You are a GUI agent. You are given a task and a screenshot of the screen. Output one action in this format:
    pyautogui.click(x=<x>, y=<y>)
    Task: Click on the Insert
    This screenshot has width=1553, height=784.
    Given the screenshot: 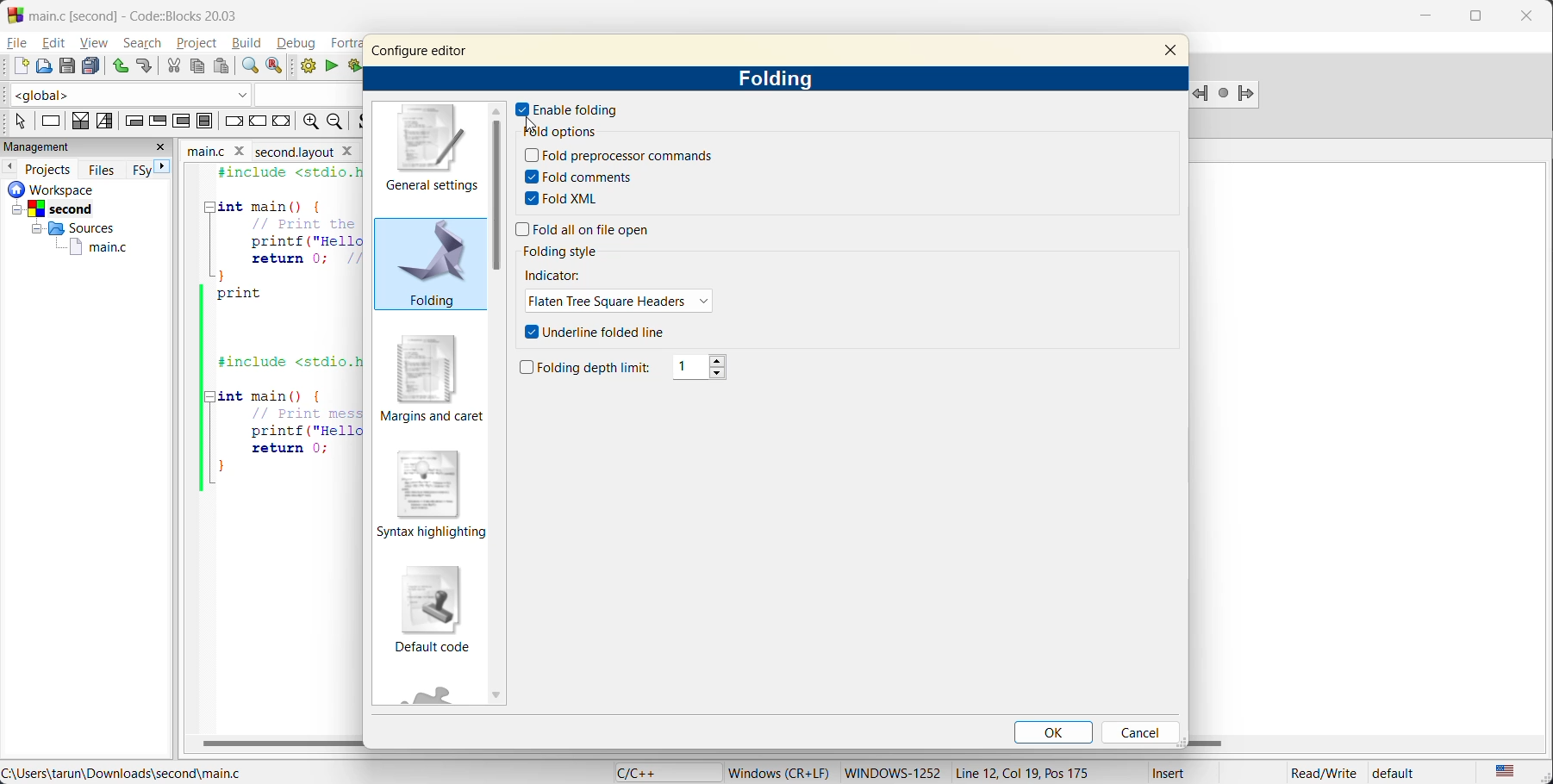 What is the action you would take?
    pyautogui.click(x=1180, y=770)
    